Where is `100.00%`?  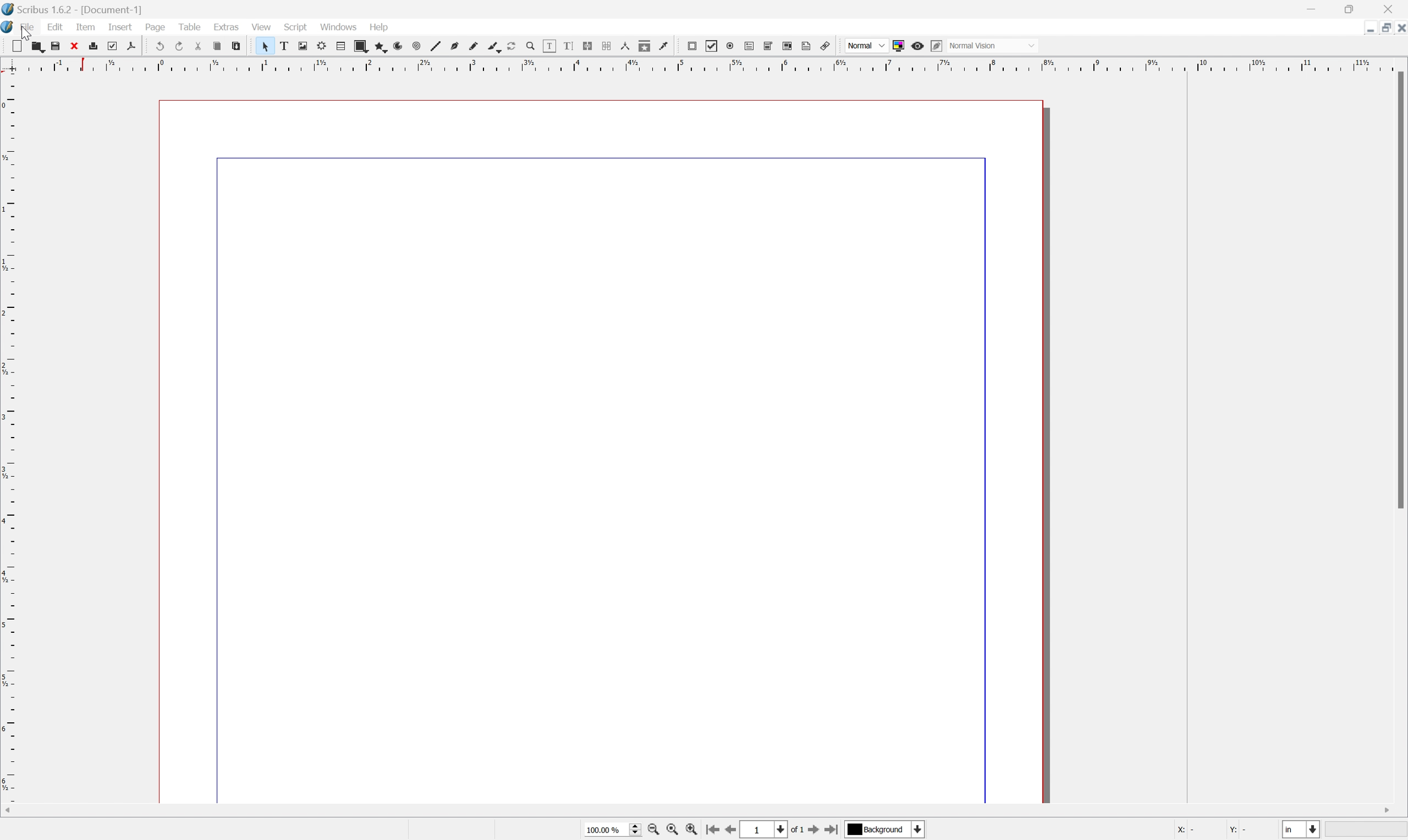 100.00% is located at coordinates (608, 829).